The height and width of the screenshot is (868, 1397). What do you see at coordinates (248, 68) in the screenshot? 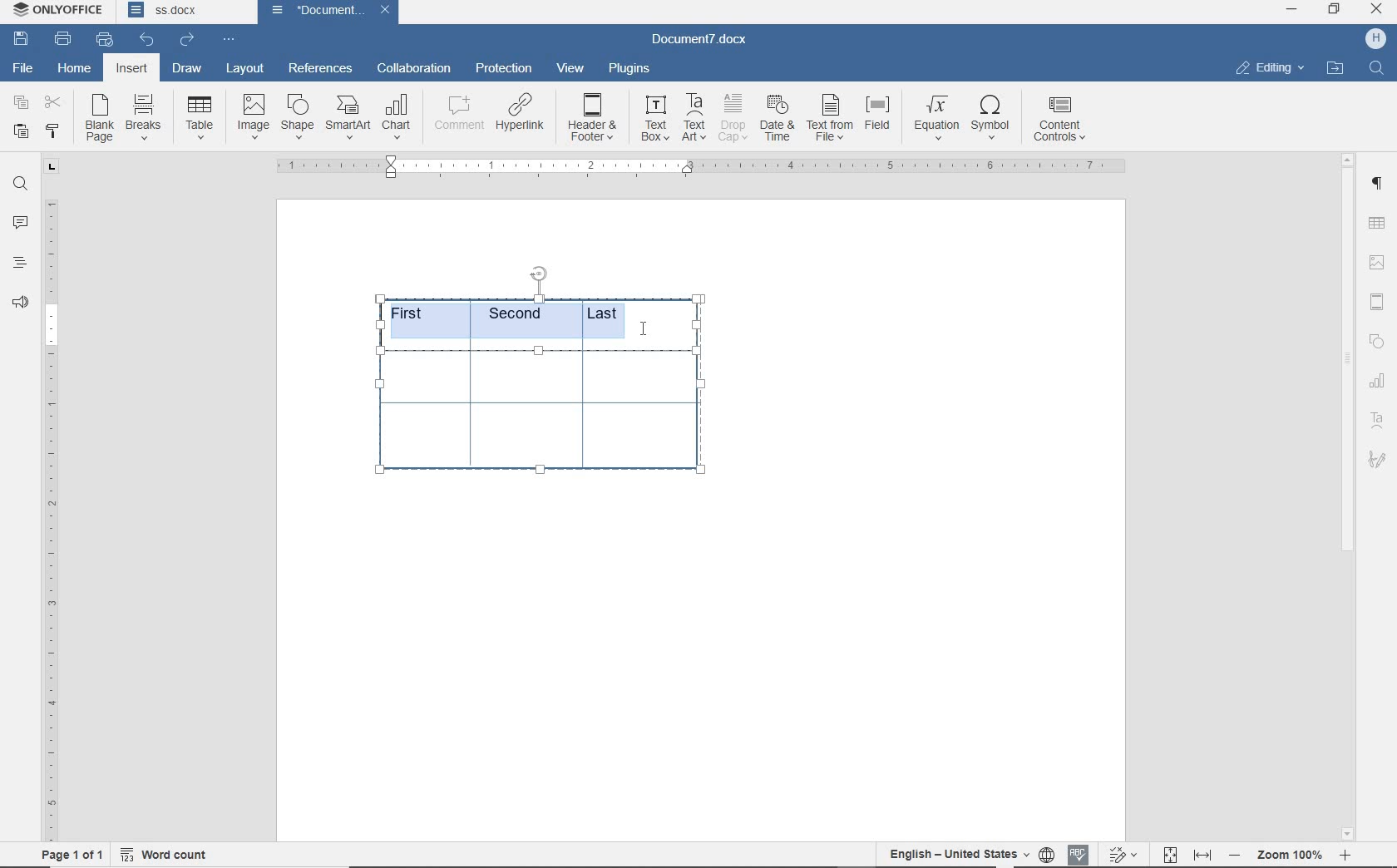
I see `layout` at bounding box center [248, 68].